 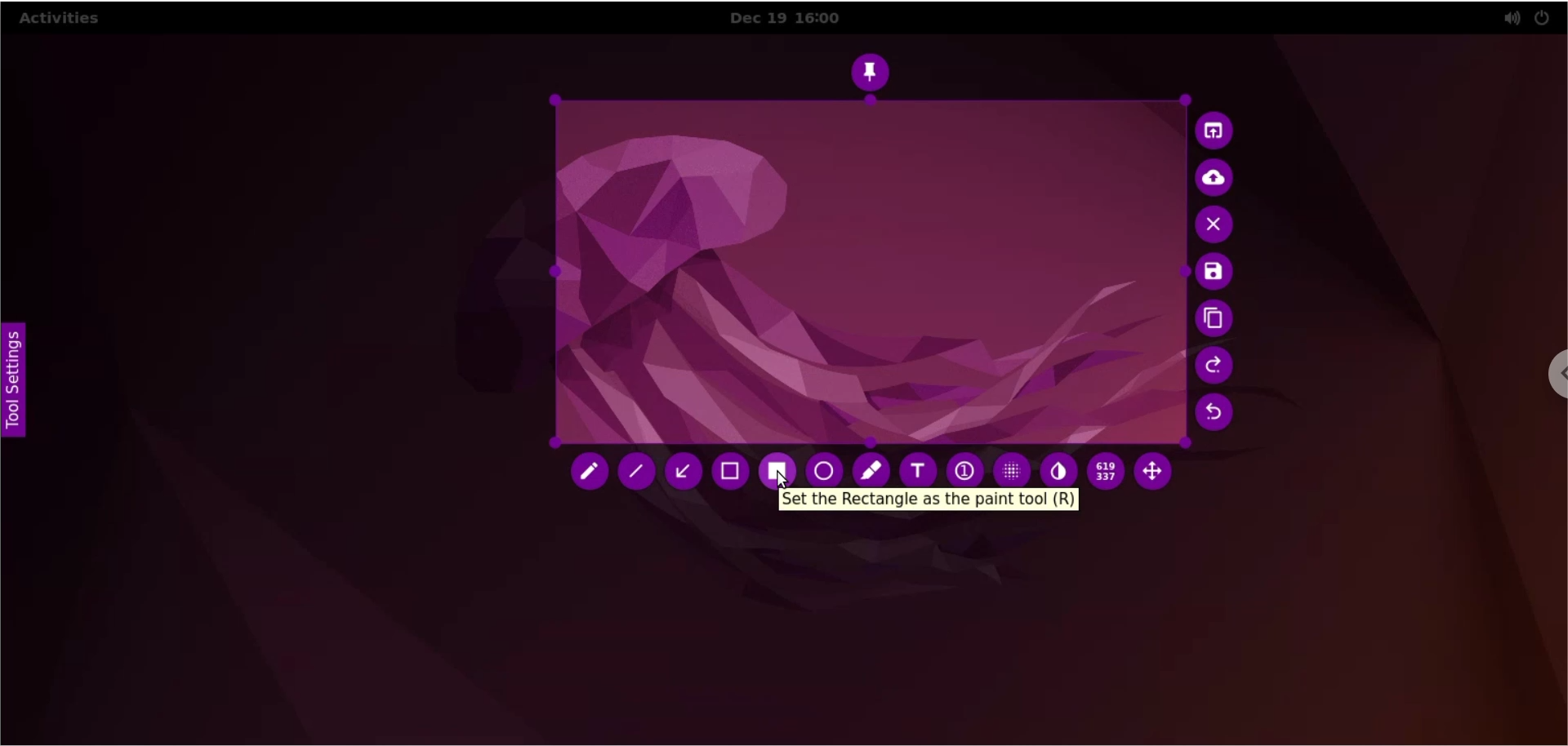 I want to click on marker tool, so click(x=871, y=467).